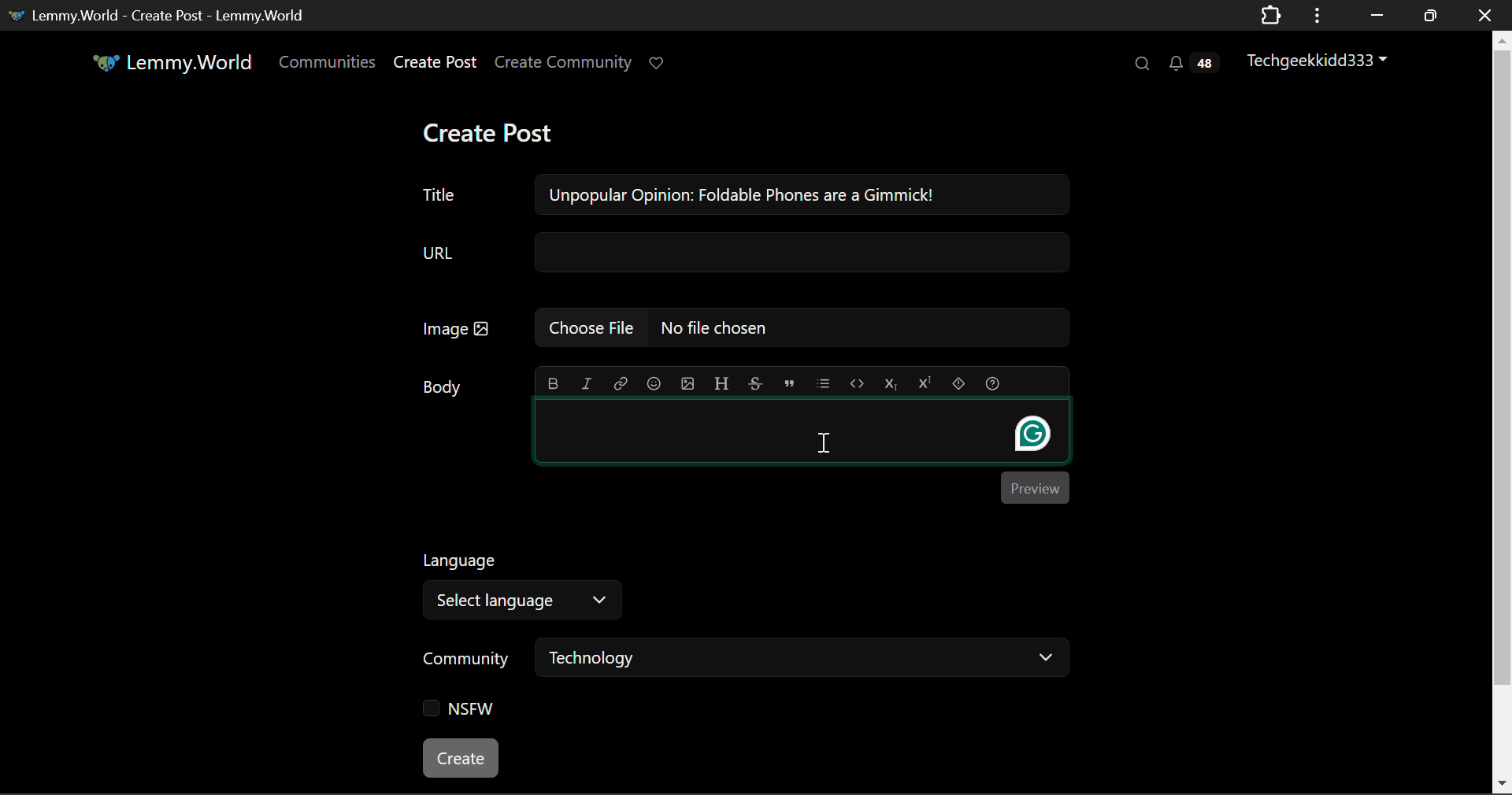  What do you see at coordinates (1192, 63) in the screenshot?
I see `Notifications` at bounding box center [1192, 63].